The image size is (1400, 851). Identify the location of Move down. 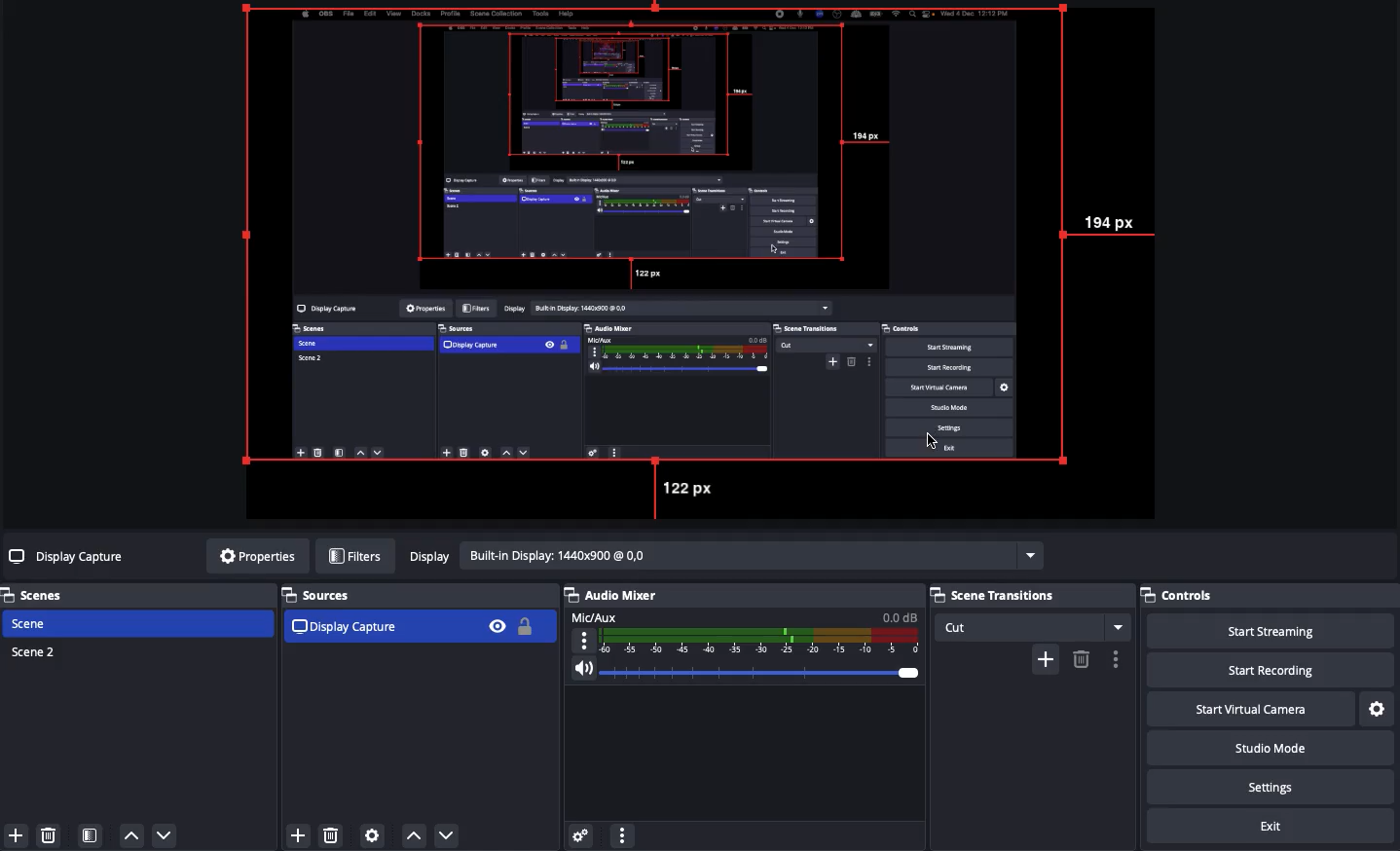
(164, 834).